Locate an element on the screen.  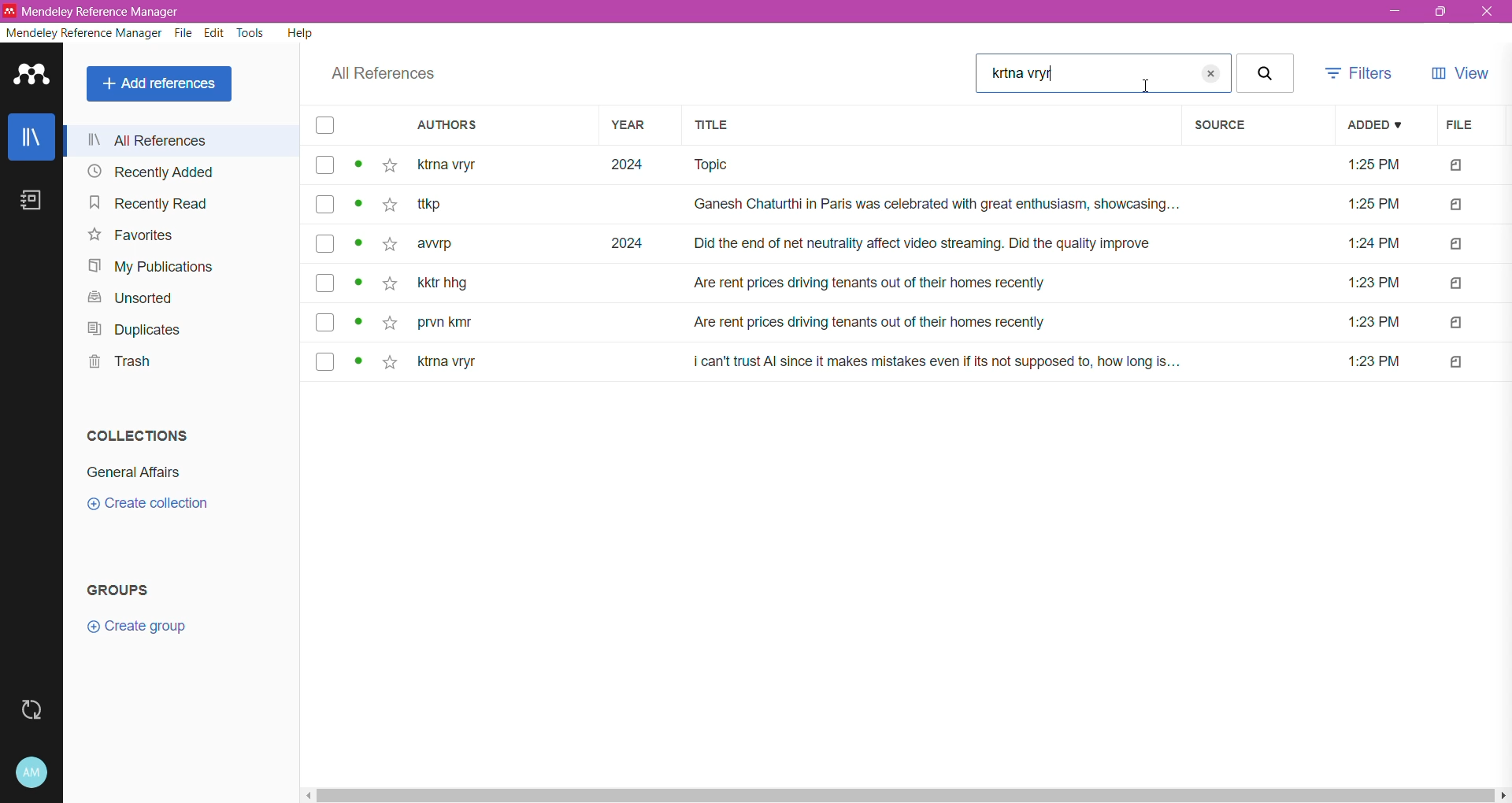
select file is located at coordinates (322, 166).